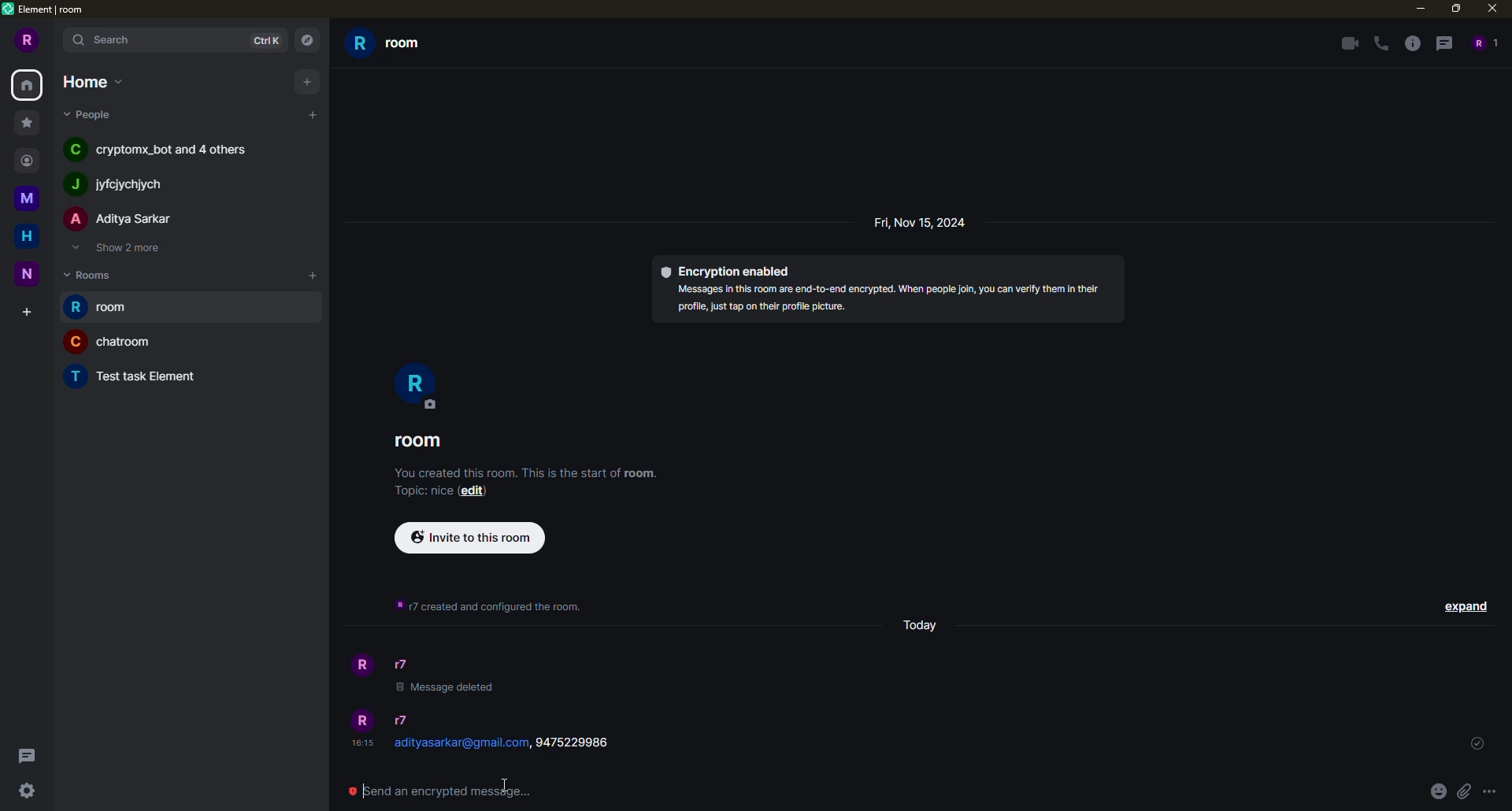 Image resolution: width=1512 pixels, height=811 pixels. What do you see at coordinates (362, 668) in the screenshot?
I see `profile` at bounding box center [362, 668].